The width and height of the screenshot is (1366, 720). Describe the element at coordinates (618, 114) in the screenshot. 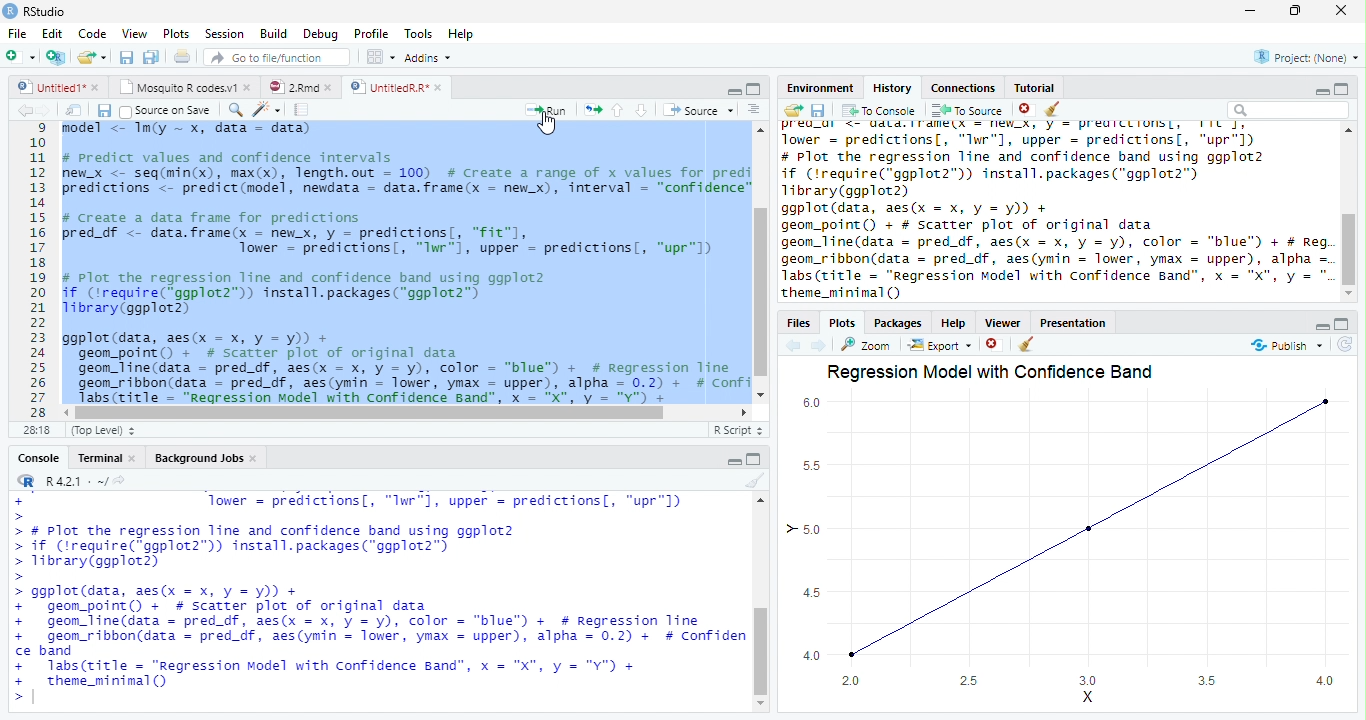

I see `Go to the previous section/chunk` at that location.